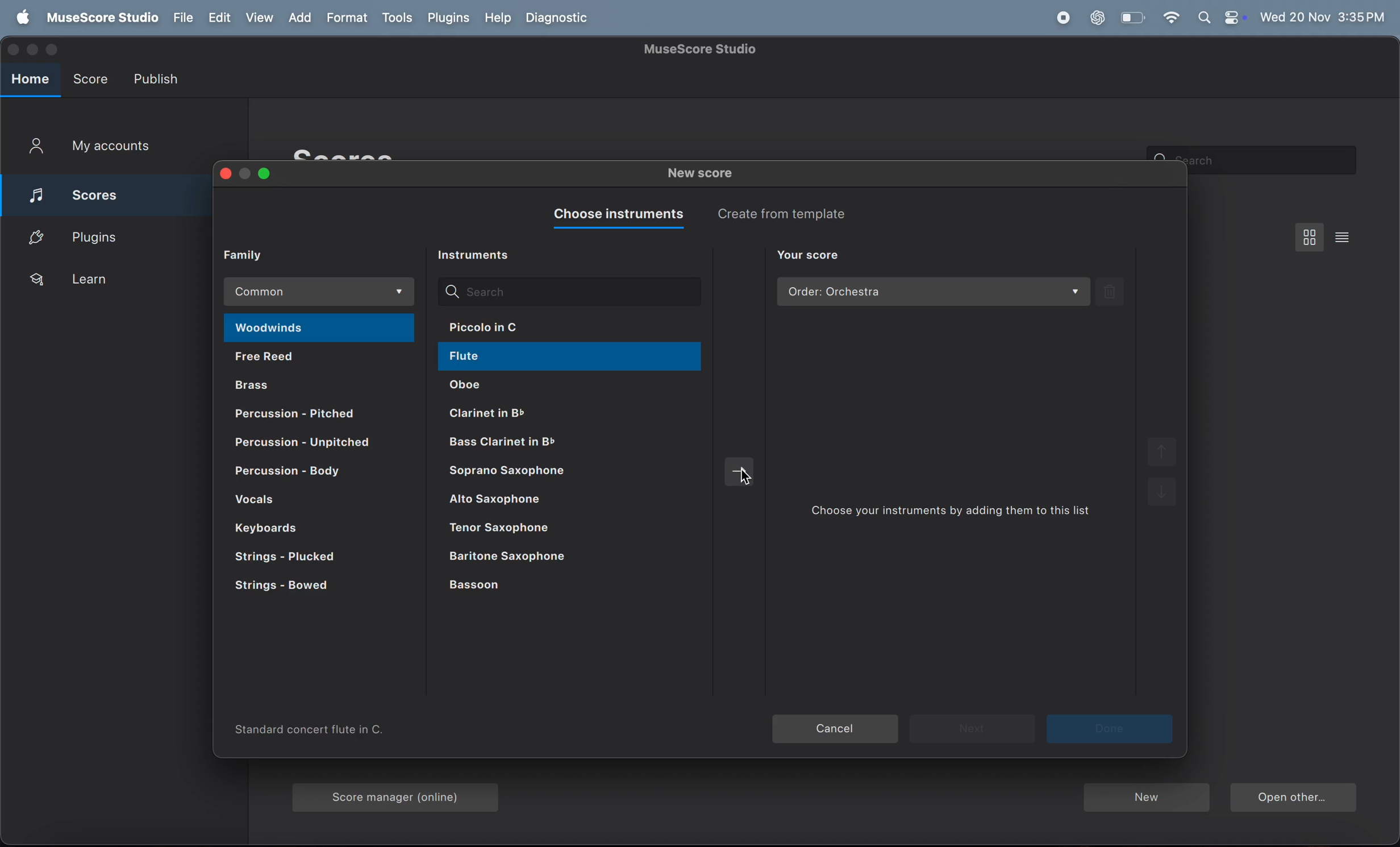 This screenshot has height=847, width=1400. What do you see at coordinates (749, 477) in the screenshot?
I see `cursor` at bounding box center [749, 477].